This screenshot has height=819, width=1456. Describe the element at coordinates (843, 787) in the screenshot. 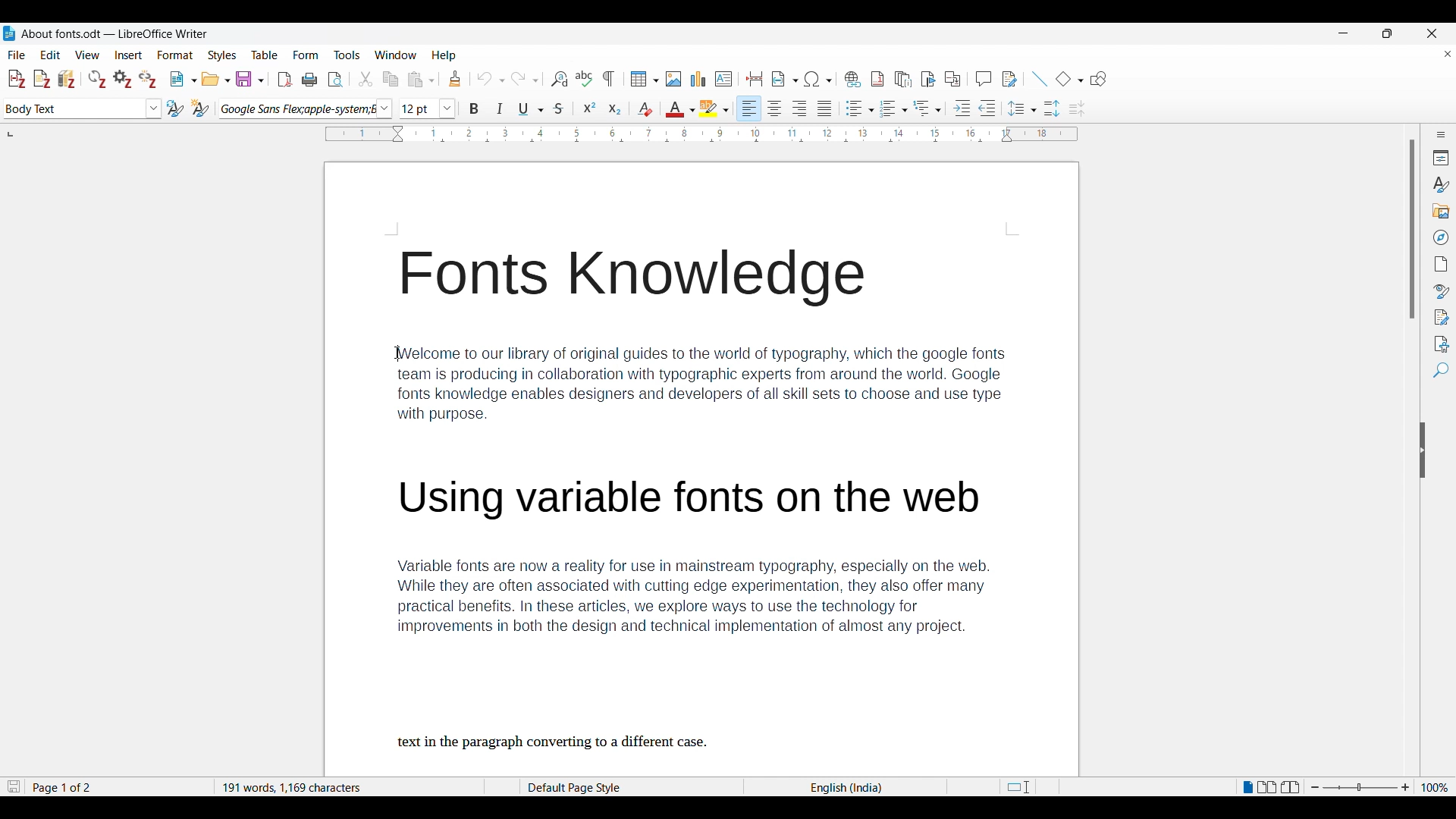

I see `English(India)` at that location.